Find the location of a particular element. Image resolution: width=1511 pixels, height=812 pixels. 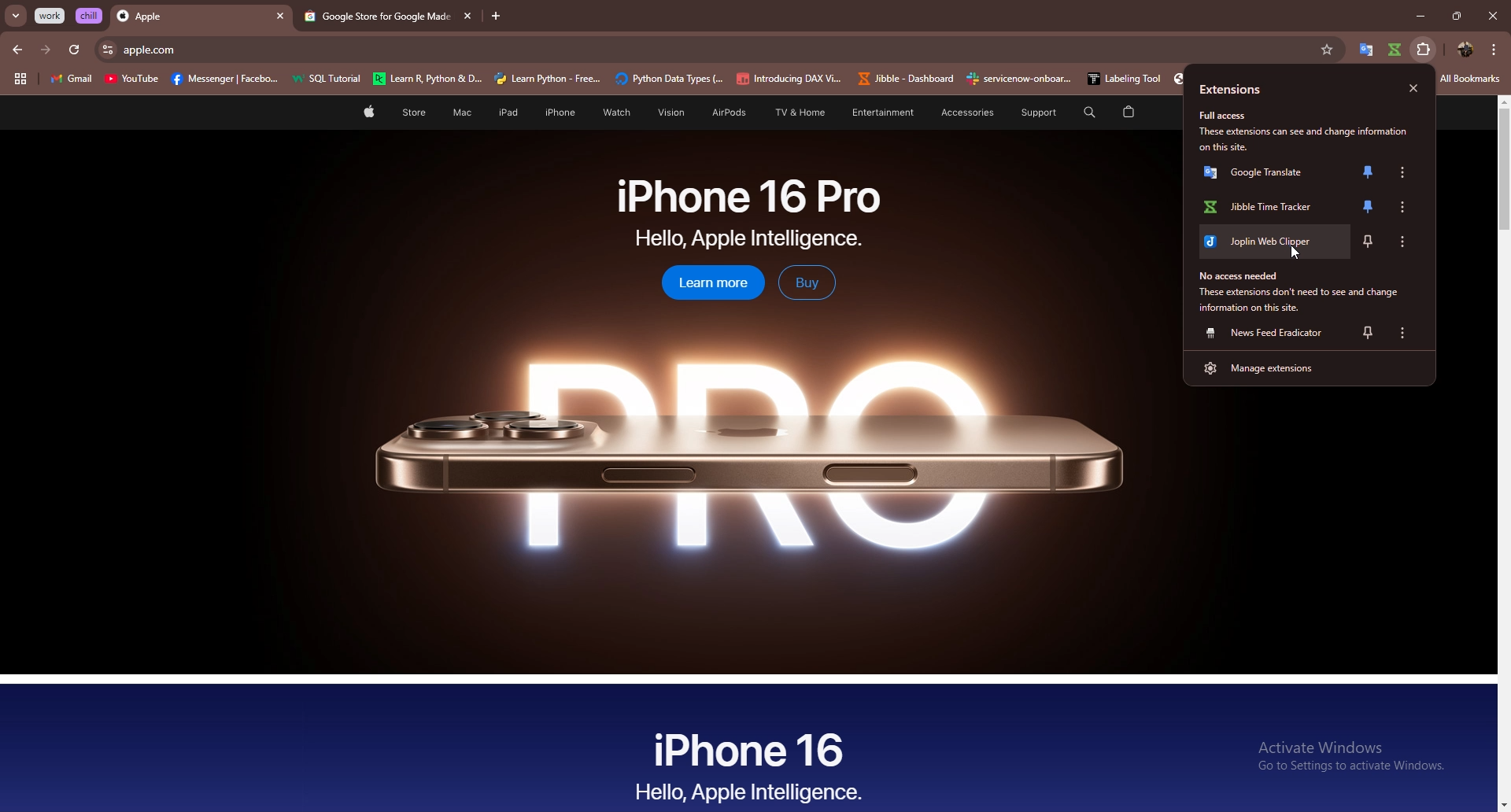

@ Joplin Web cinper is located at coordinates (1266, 246).